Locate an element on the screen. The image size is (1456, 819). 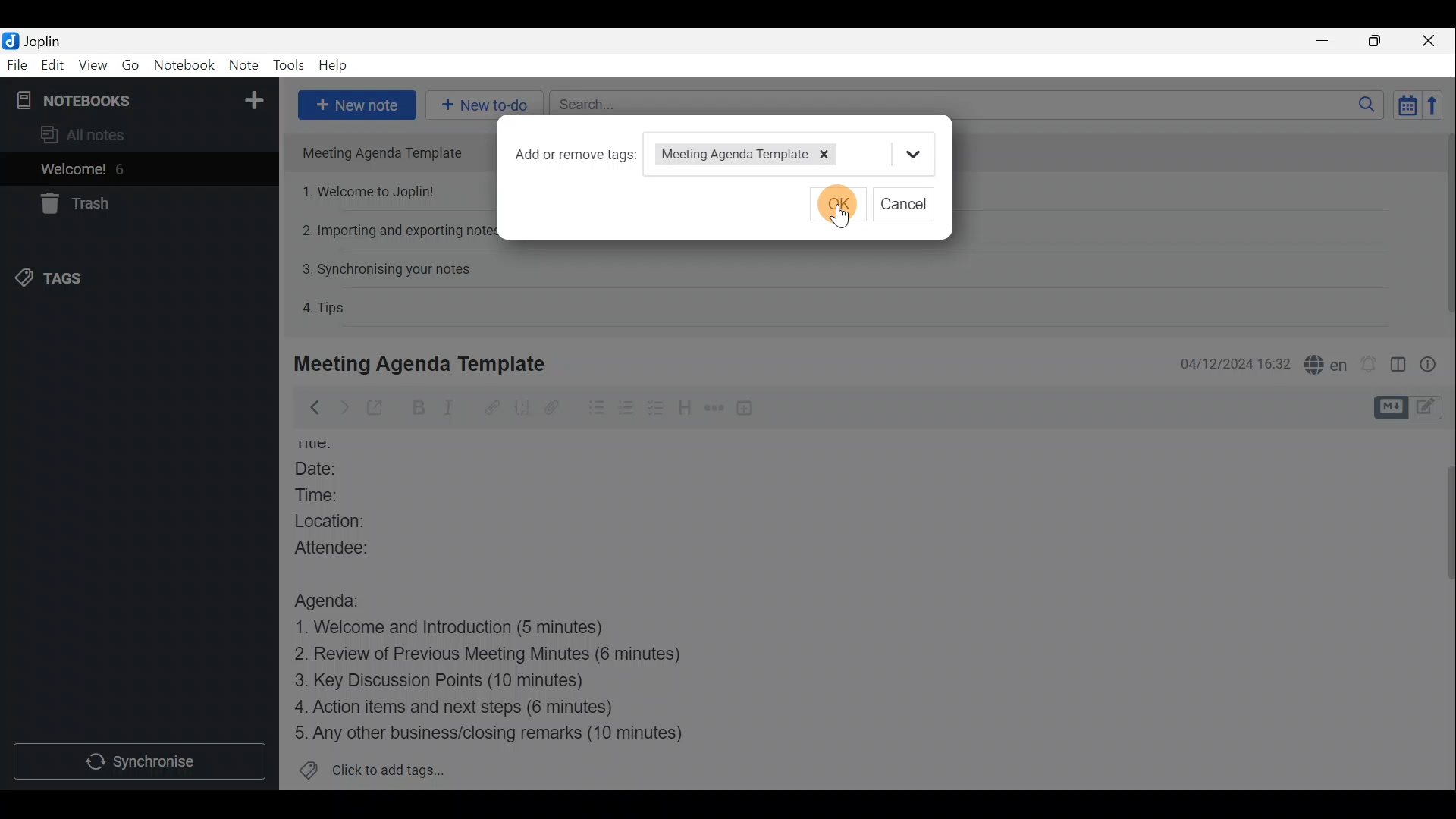
View is located at coordinates (90, 67).